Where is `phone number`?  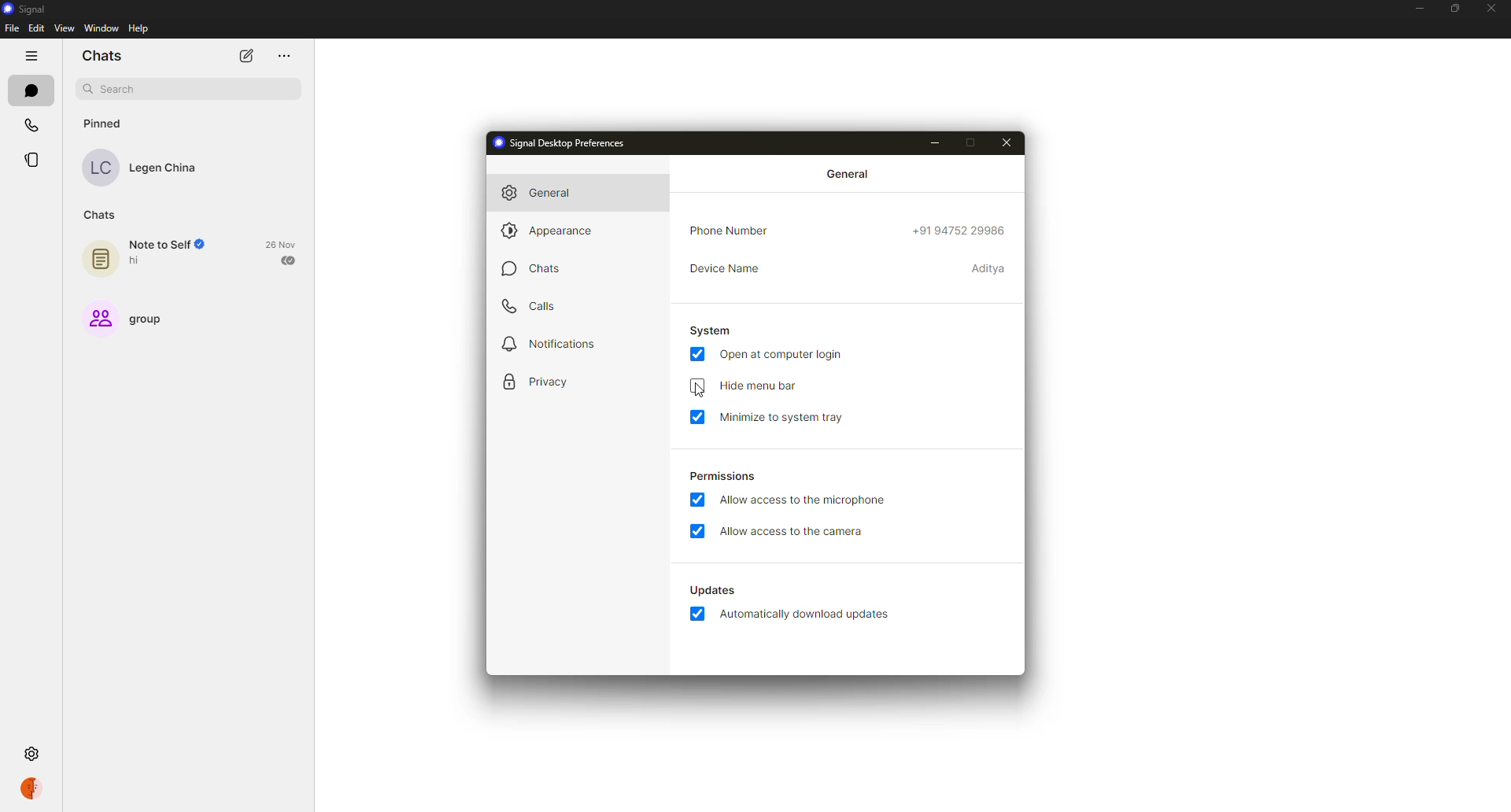 phone number is located at coordinates (730, 231).